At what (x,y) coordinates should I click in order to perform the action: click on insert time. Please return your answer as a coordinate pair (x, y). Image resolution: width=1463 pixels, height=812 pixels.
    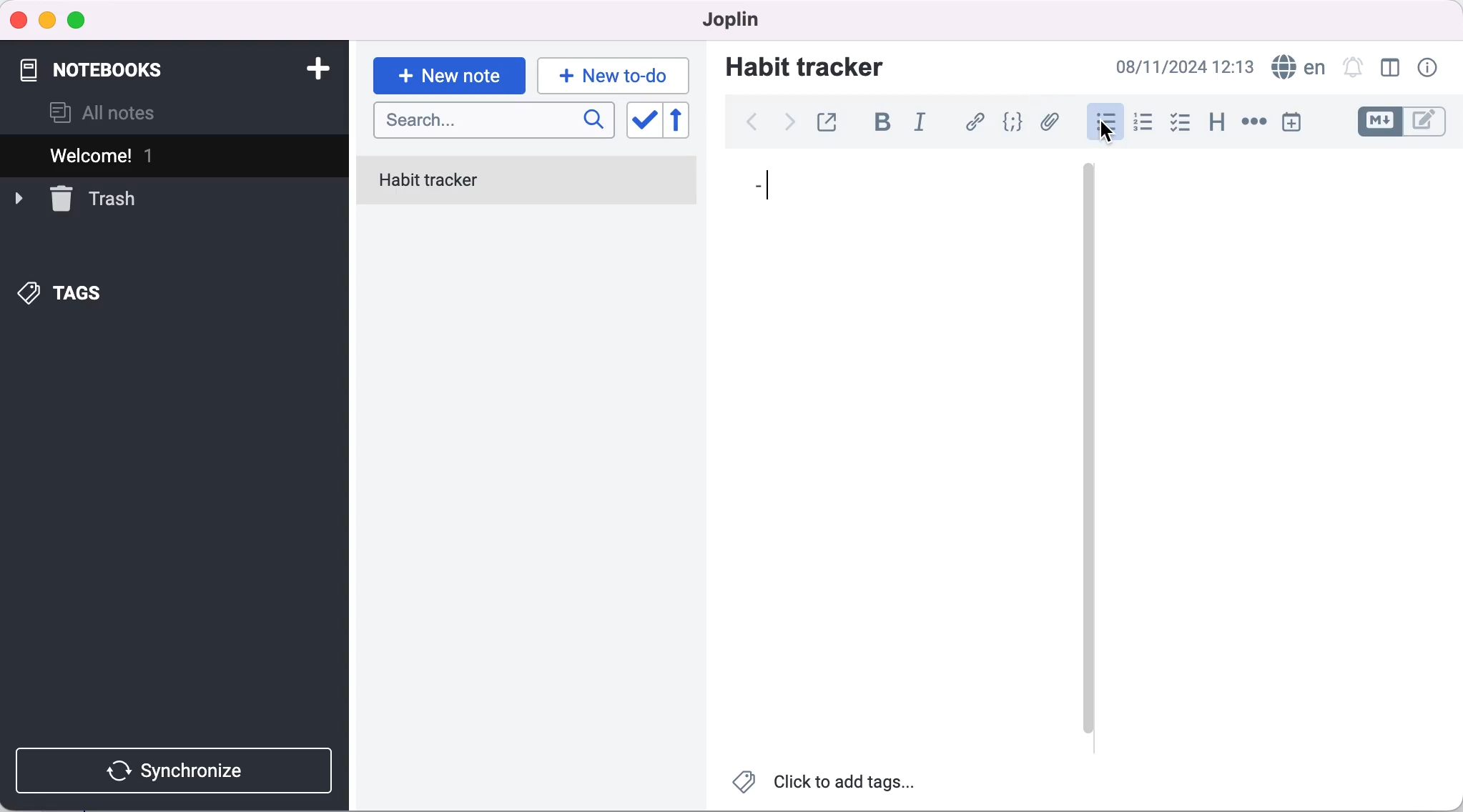
    Looking at the image, I should click on (1291, 122).